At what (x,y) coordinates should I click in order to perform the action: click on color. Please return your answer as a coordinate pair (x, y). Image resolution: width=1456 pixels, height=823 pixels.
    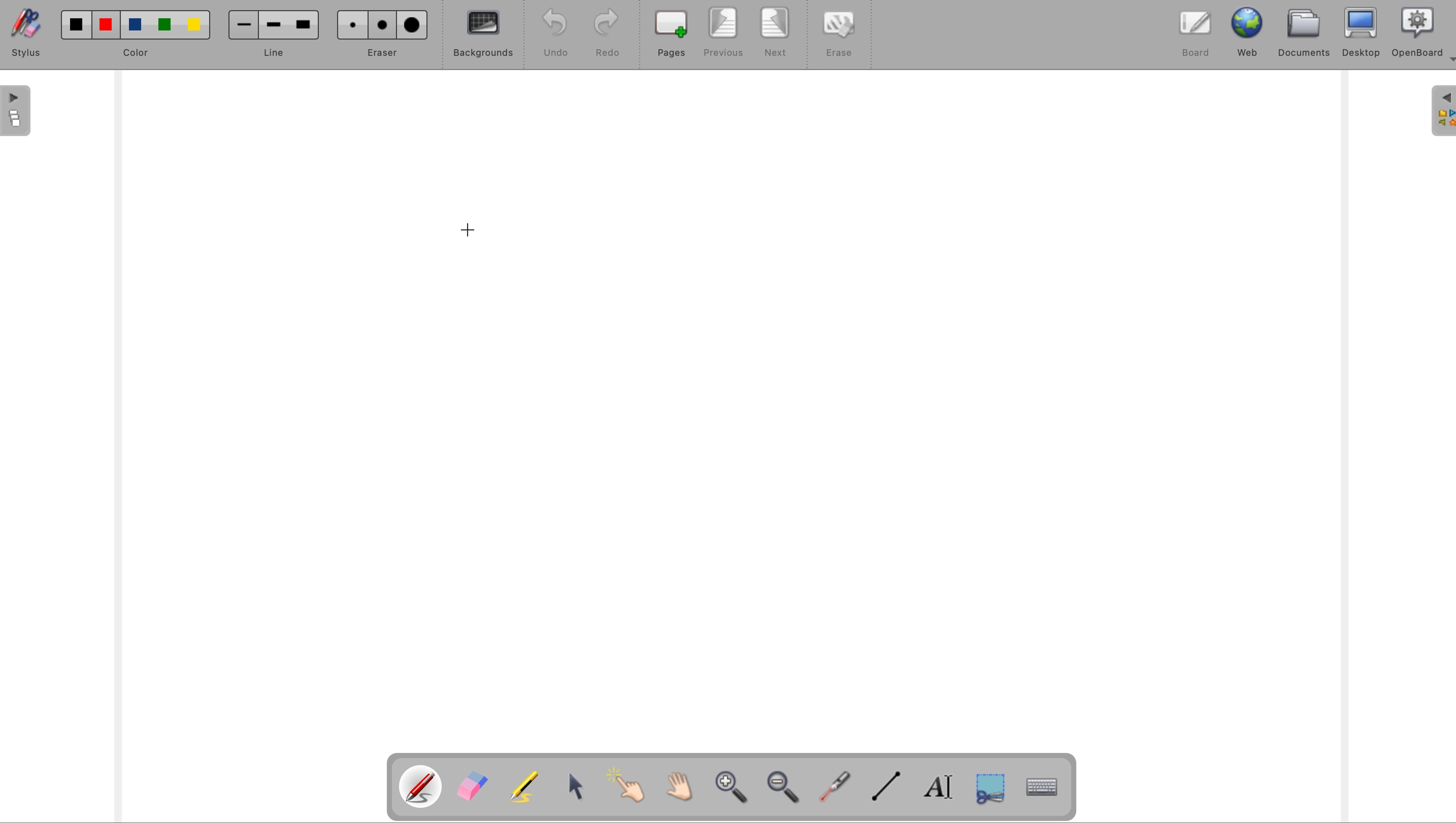
    Looking at the image, I should click on (138, 34).